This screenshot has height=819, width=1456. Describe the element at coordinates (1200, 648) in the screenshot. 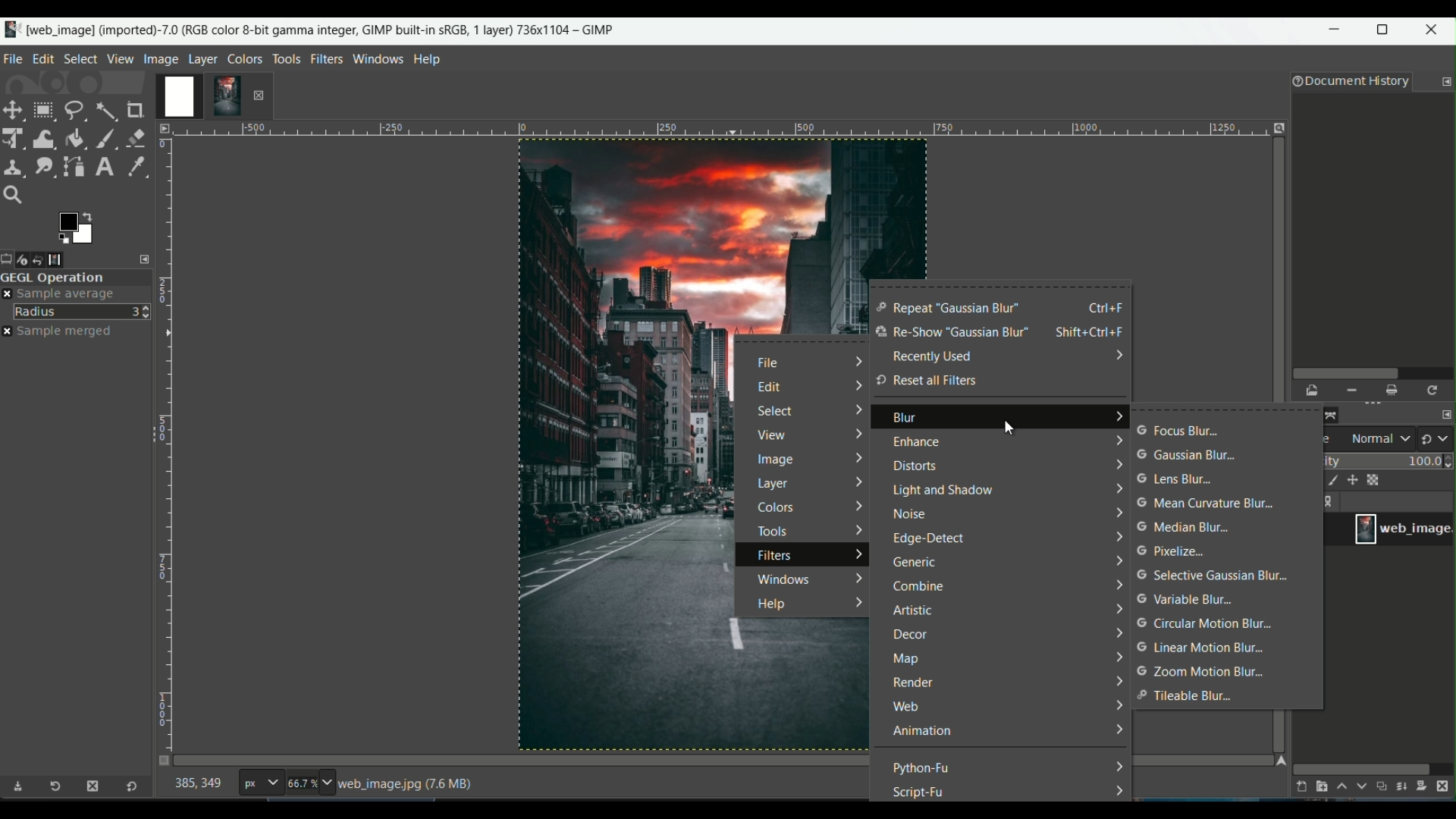

I see `linear motion blur` at that location.